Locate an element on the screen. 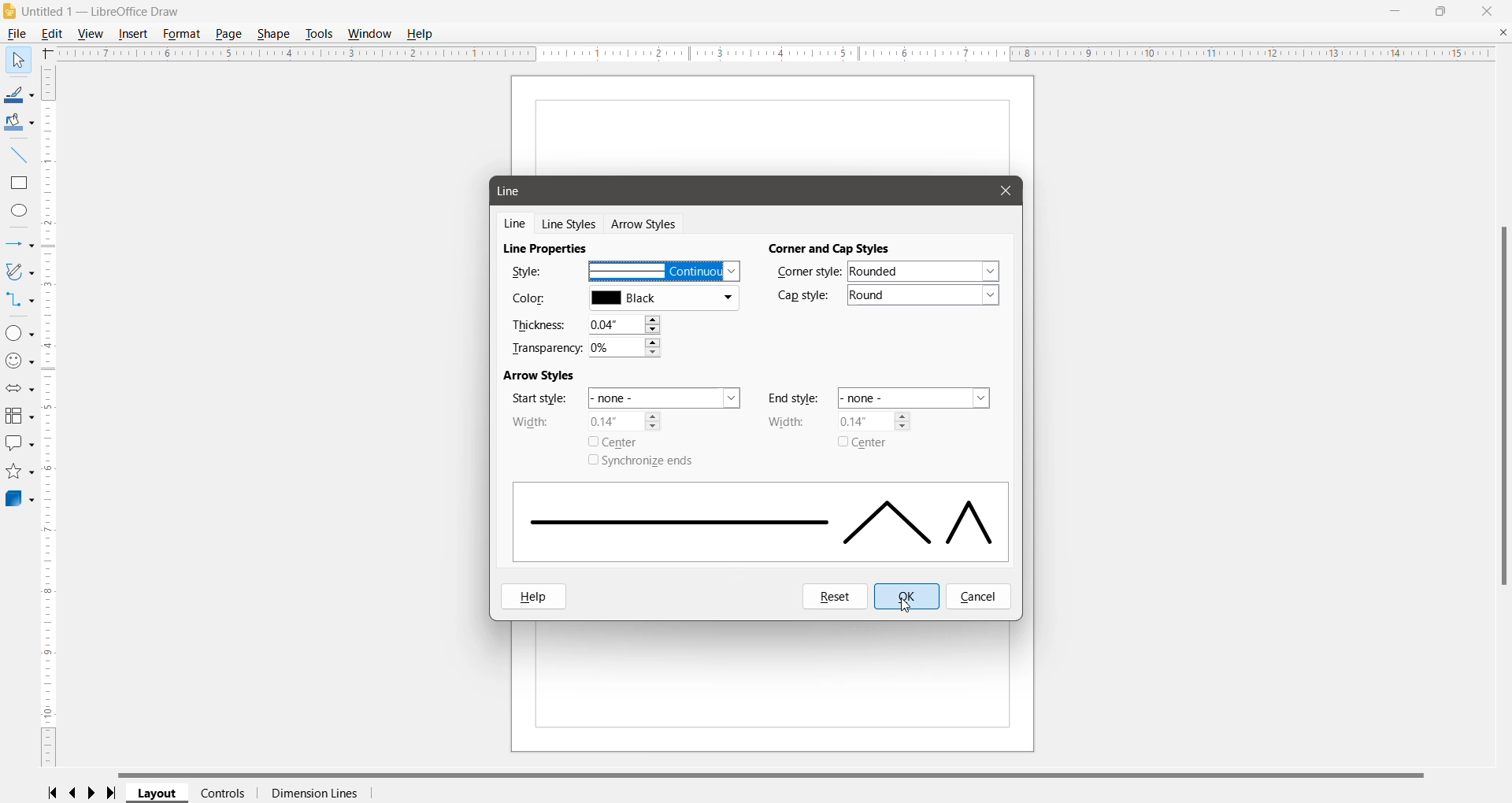  Lines and Arrows is located at coordinates (20, 245).